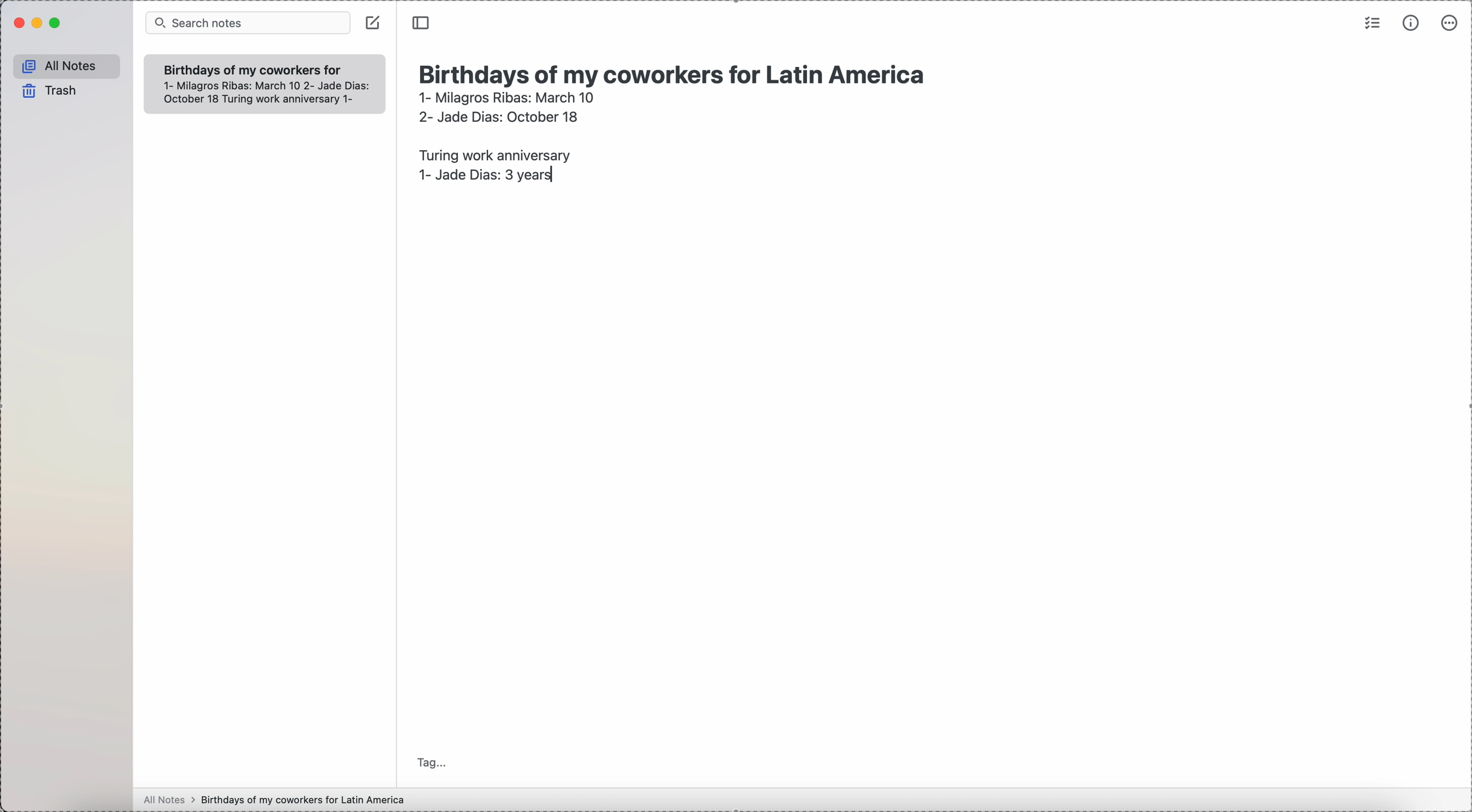 The height and width of the screenshot is (812, 1472). Describe the element at coordinates (485, 178) in the screenshot. I see `1- Jade Dias` at that location.